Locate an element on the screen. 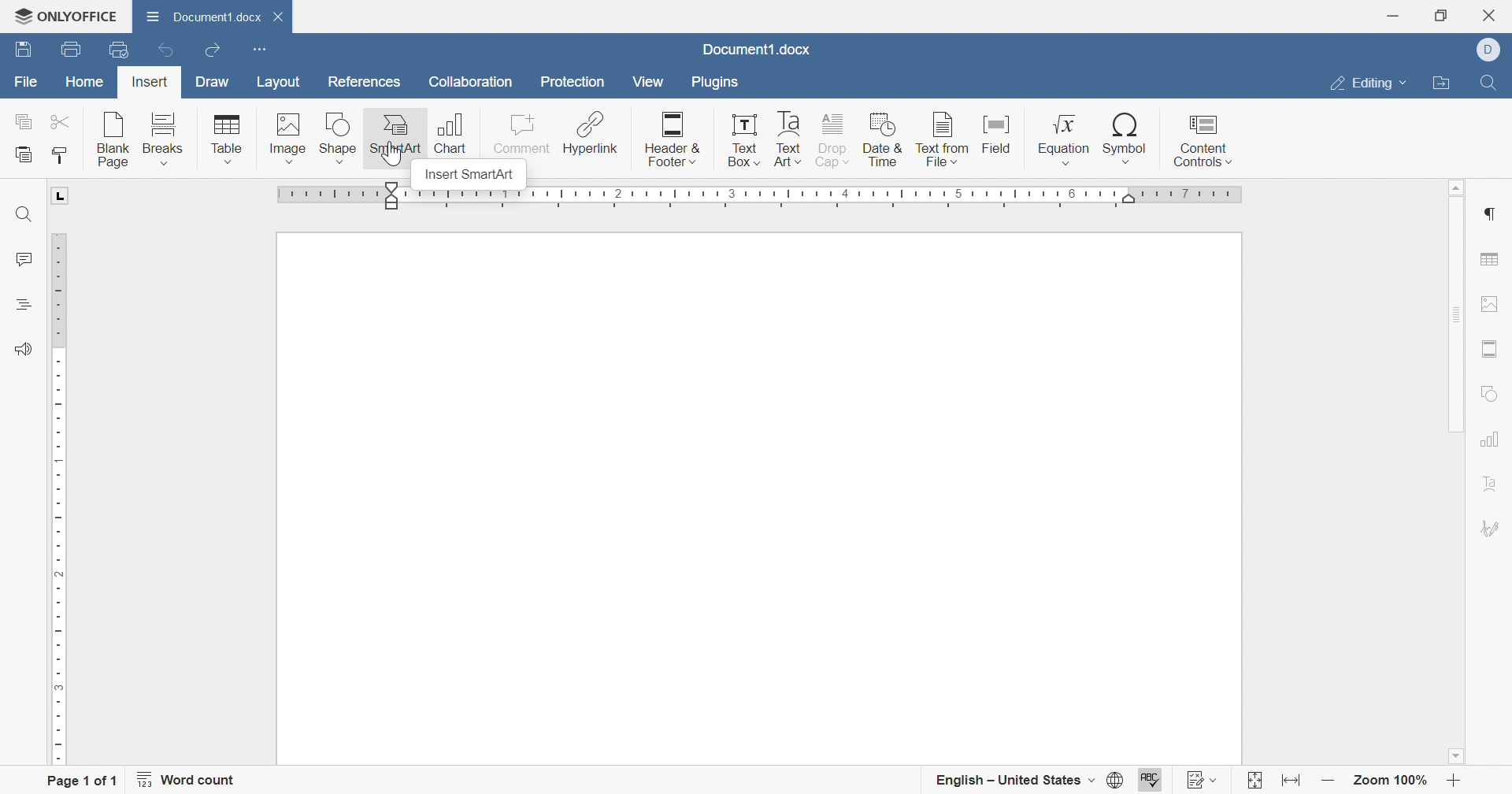  Drop cap is located at coordinates (834, 141).